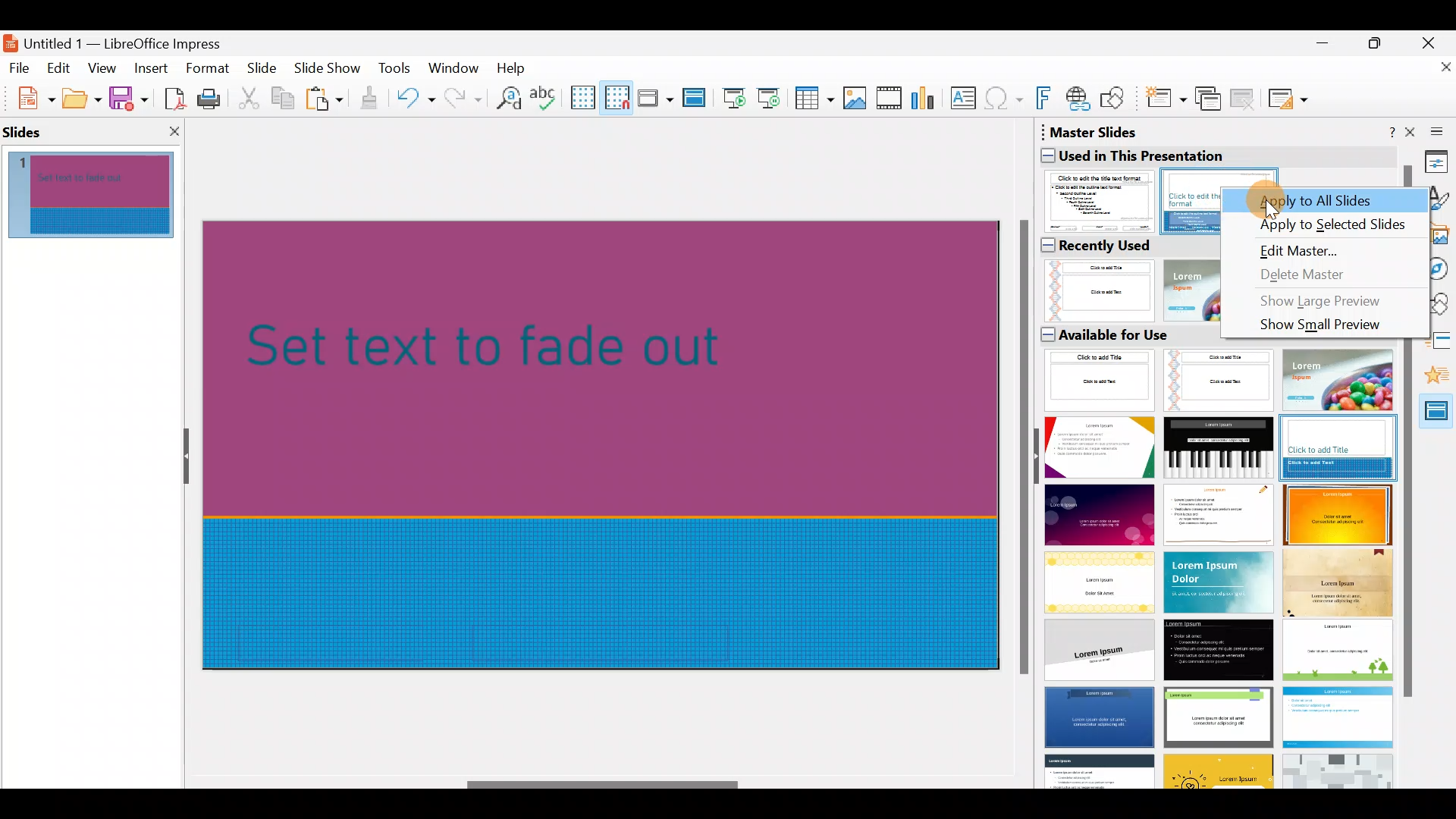 The height and width of the screenshot is (819, 1456). Describe the element at coordinates (1328, 198) in the screenshot. I see `Apply to all slides` at that location.